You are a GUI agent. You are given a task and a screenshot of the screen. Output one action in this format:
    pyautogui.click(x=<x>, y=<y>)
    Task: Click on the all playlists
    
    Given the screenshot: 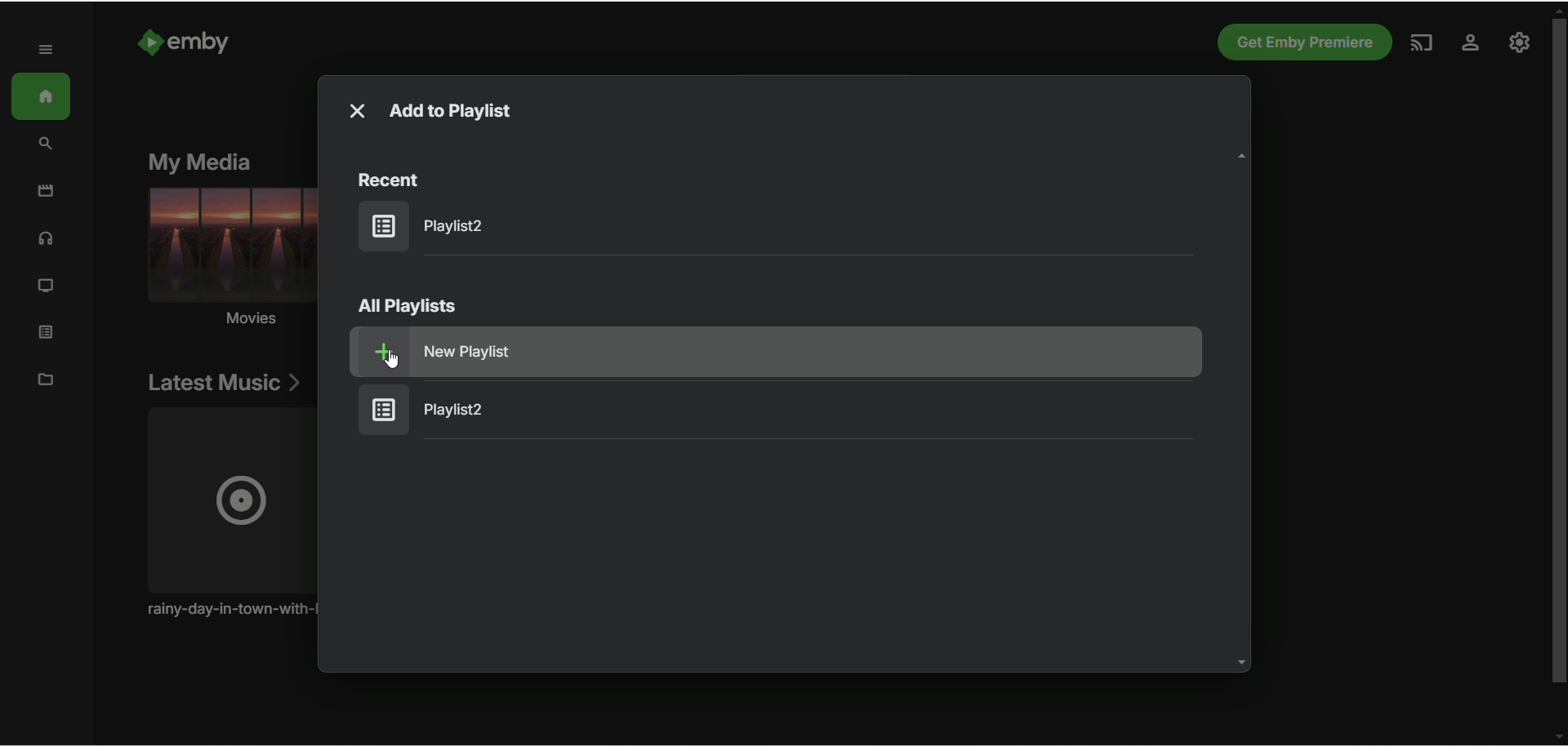 What is the action you would take?
    pyautogui.click(x=408, y=306)
    